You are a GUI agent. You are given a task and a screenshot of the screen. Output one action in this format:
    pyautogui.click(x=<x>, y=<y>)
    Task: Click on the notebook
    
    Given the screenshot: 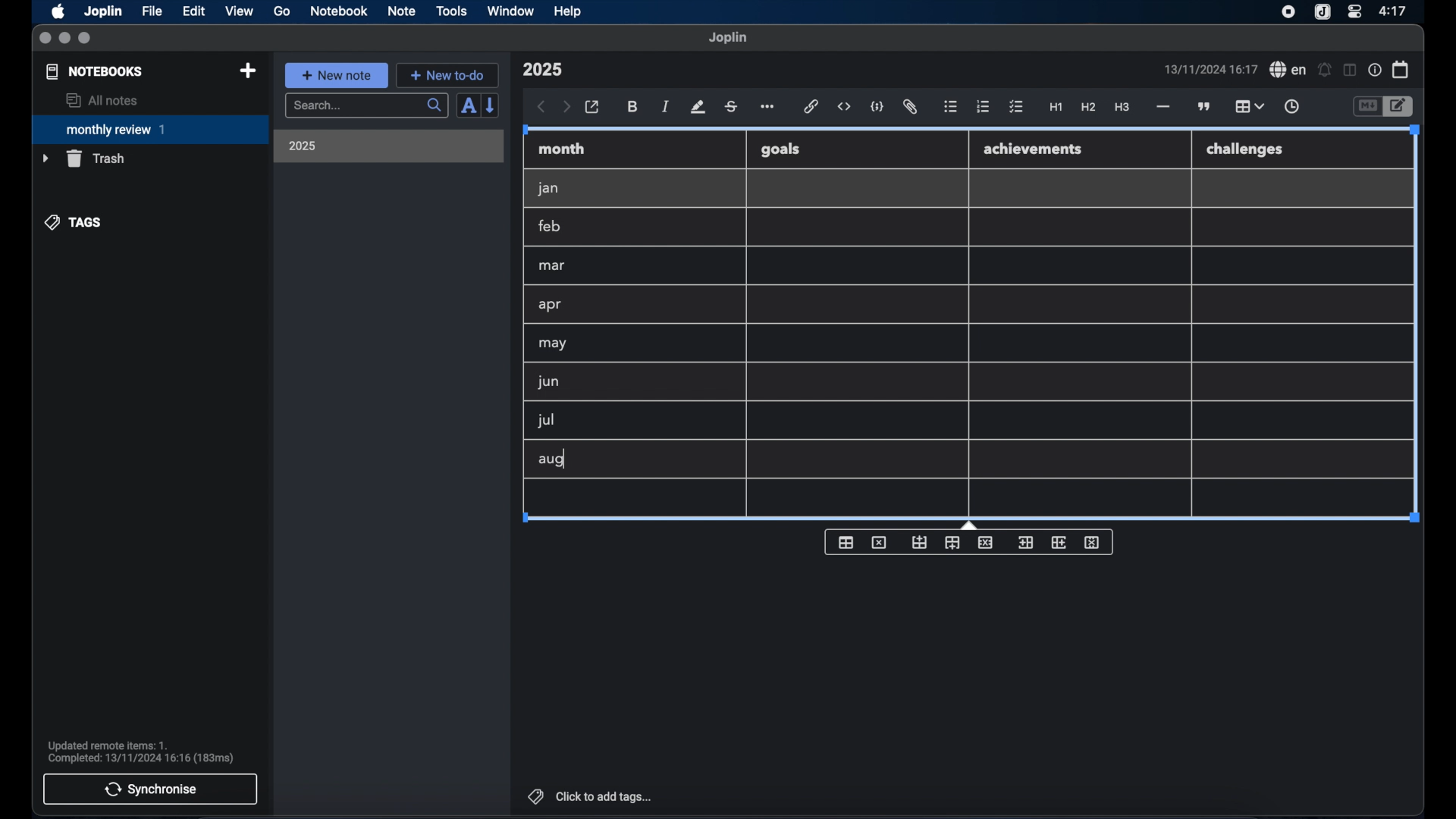 What is the action you would take?
    pyautogui.click(x=339, y=11)
    